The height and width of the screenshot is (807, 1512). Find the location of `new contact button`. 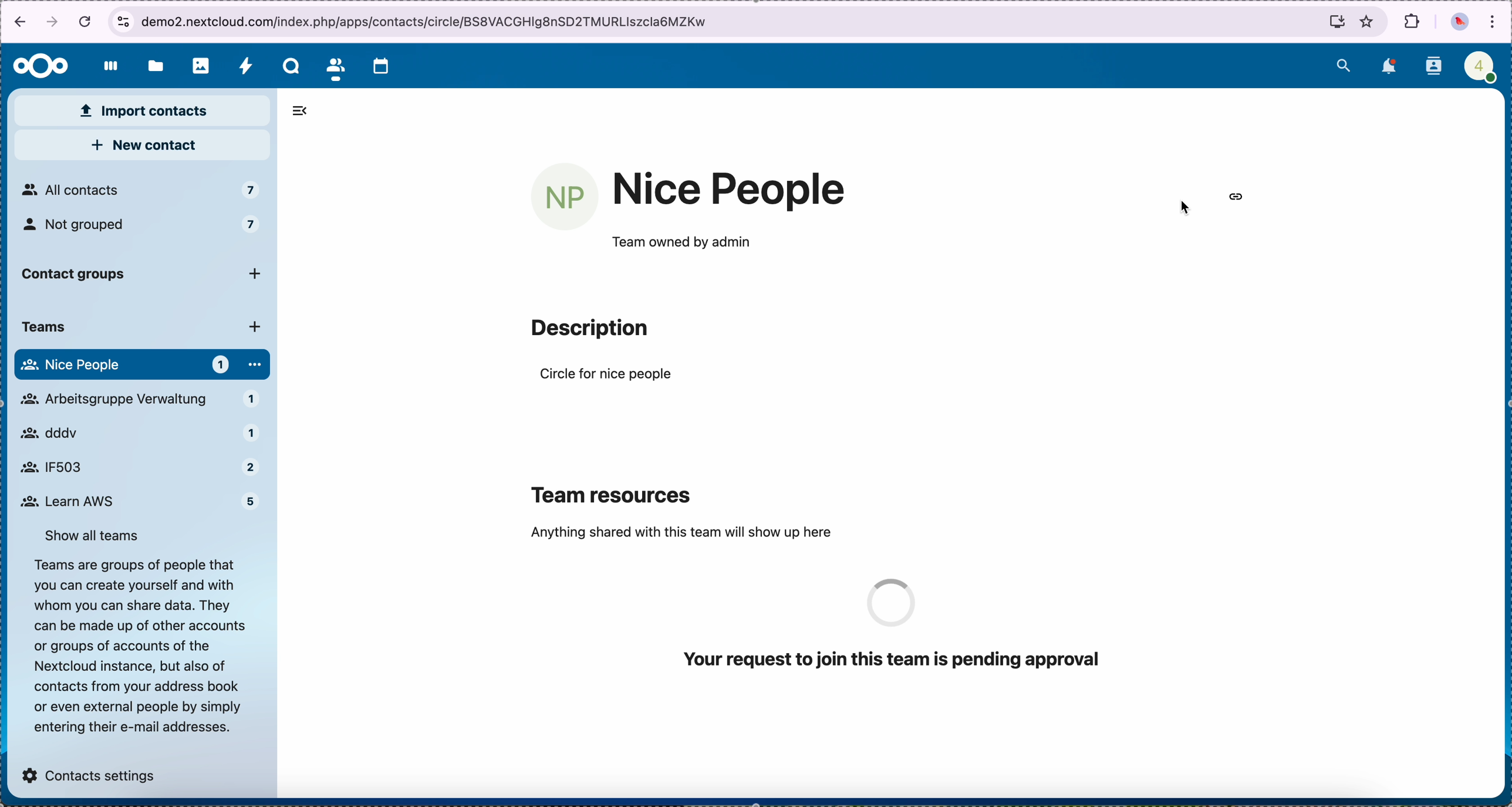

new contact button is located at coordinates (141, 146).